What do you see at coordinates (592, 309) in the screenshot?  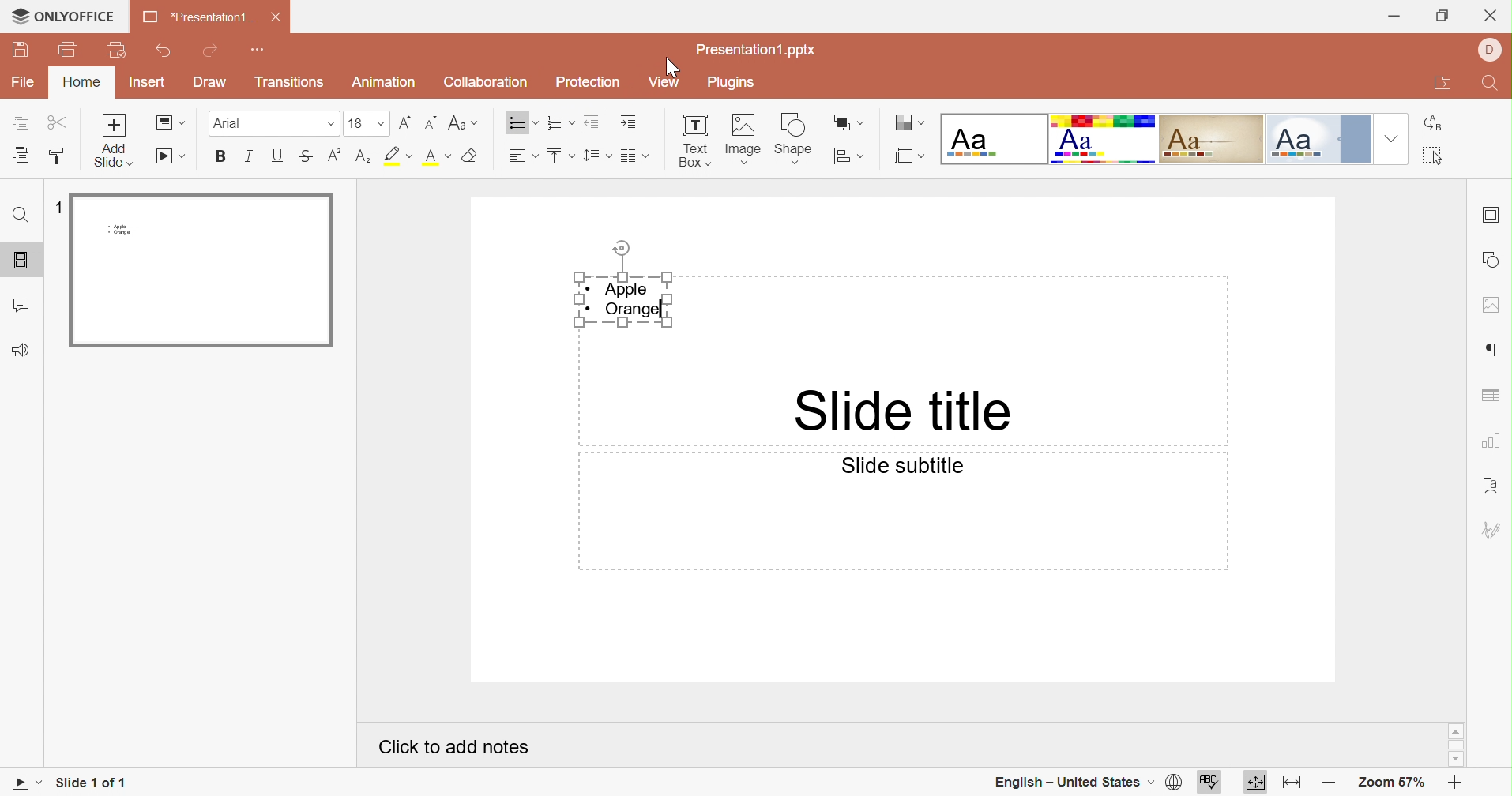 I see `Bullet` at bounding box center [592, 309].